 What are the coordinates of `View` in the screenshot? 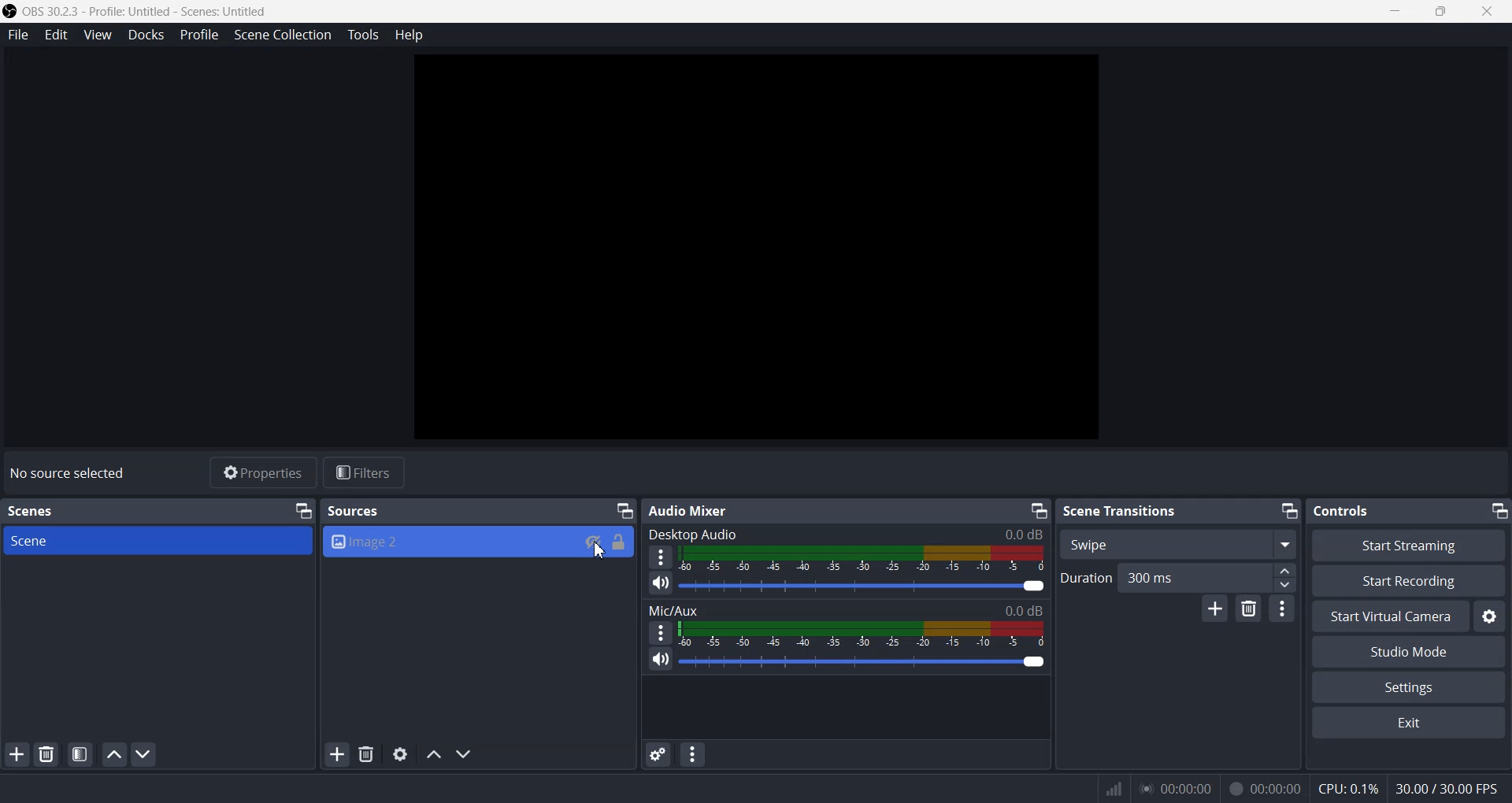 It's located at (97, 34).